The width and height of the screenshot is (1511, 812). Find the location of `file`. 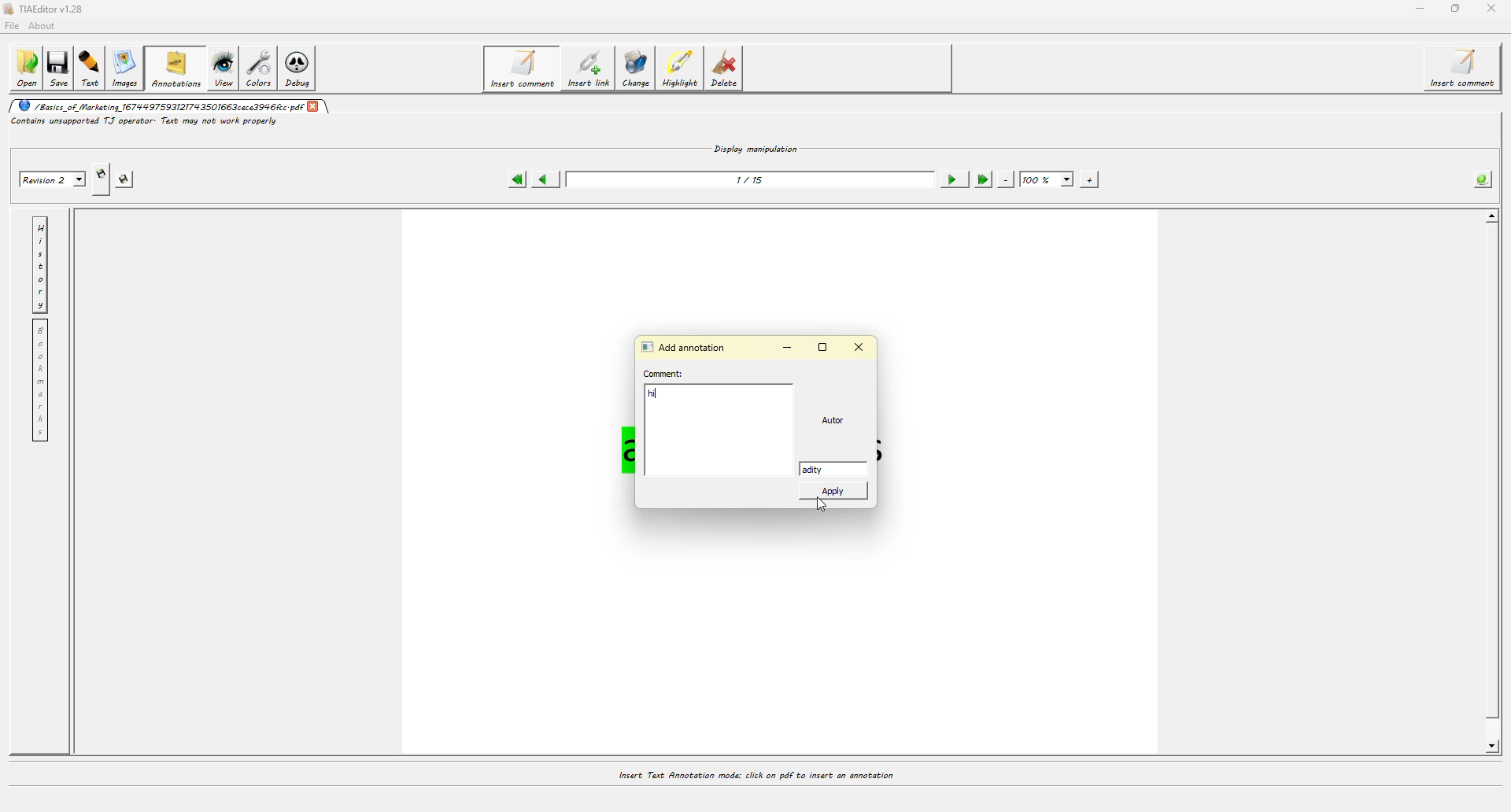

file is located at coordinates (14, 24).